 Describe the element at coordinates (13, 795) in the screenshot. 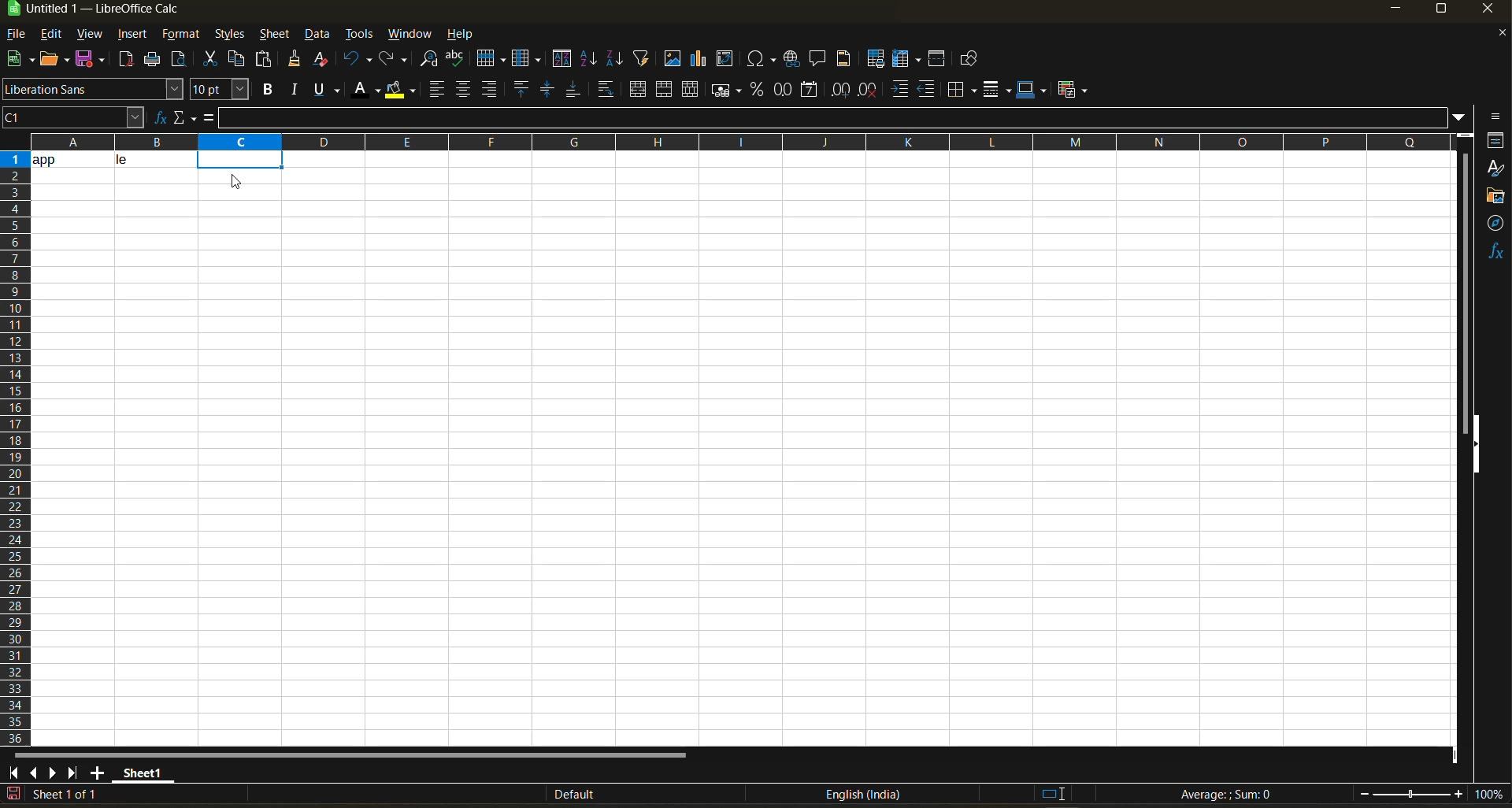

I see `click to save` at that location.